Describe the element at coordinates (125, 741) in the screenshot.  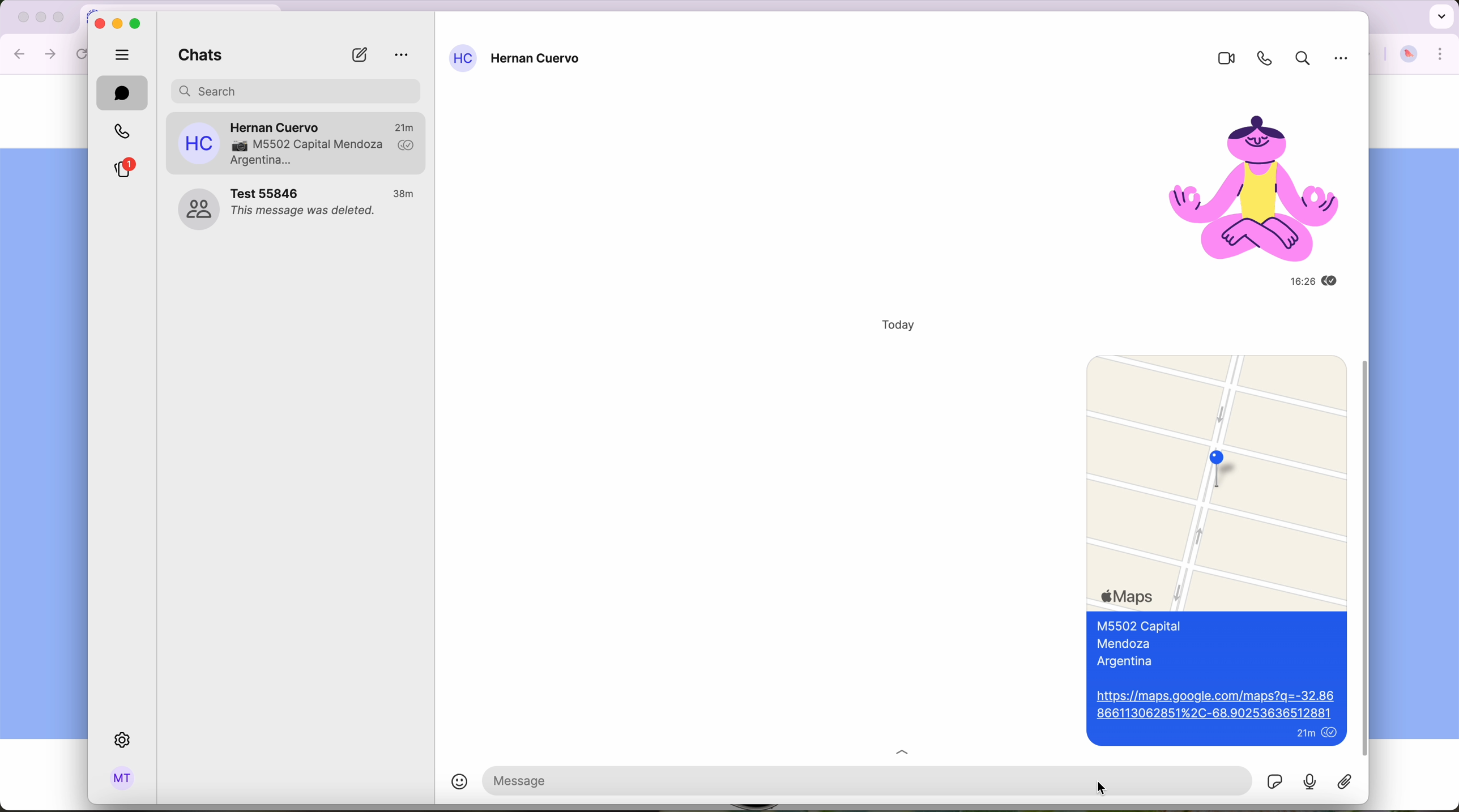
I see `settings` at that location.